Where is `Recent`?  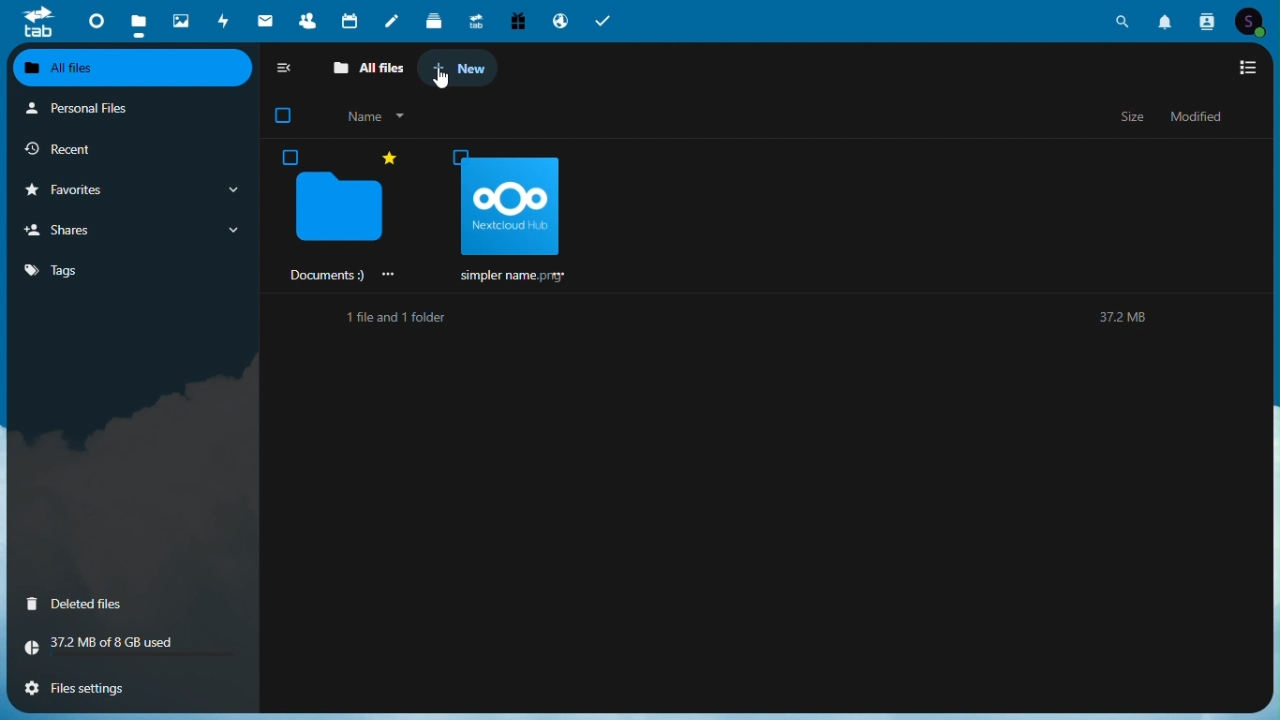 Recent is located at coordinates (129, 150).